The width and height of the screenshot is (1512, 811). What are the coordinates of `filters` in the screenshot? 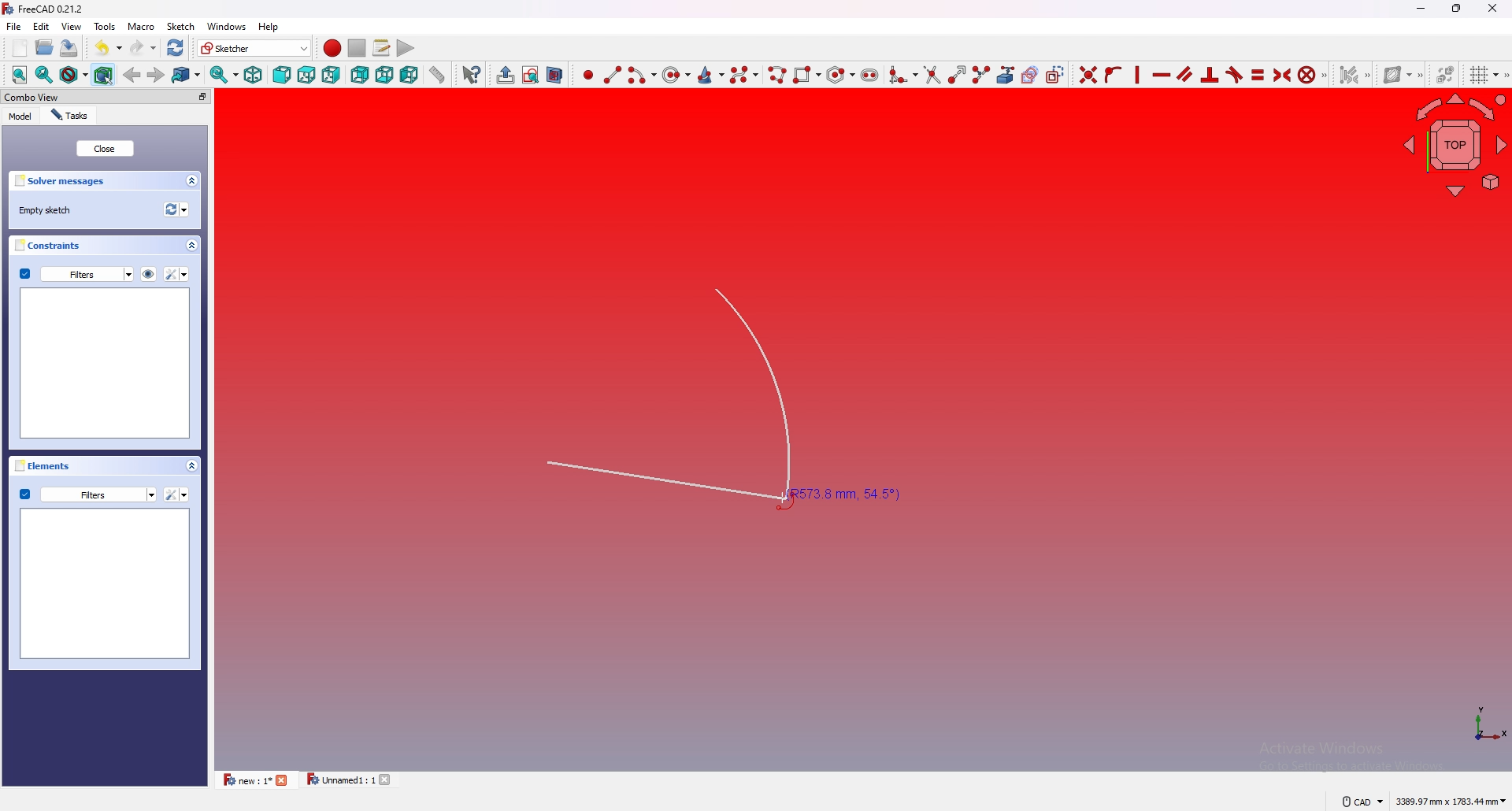 It's located at (77, 273).